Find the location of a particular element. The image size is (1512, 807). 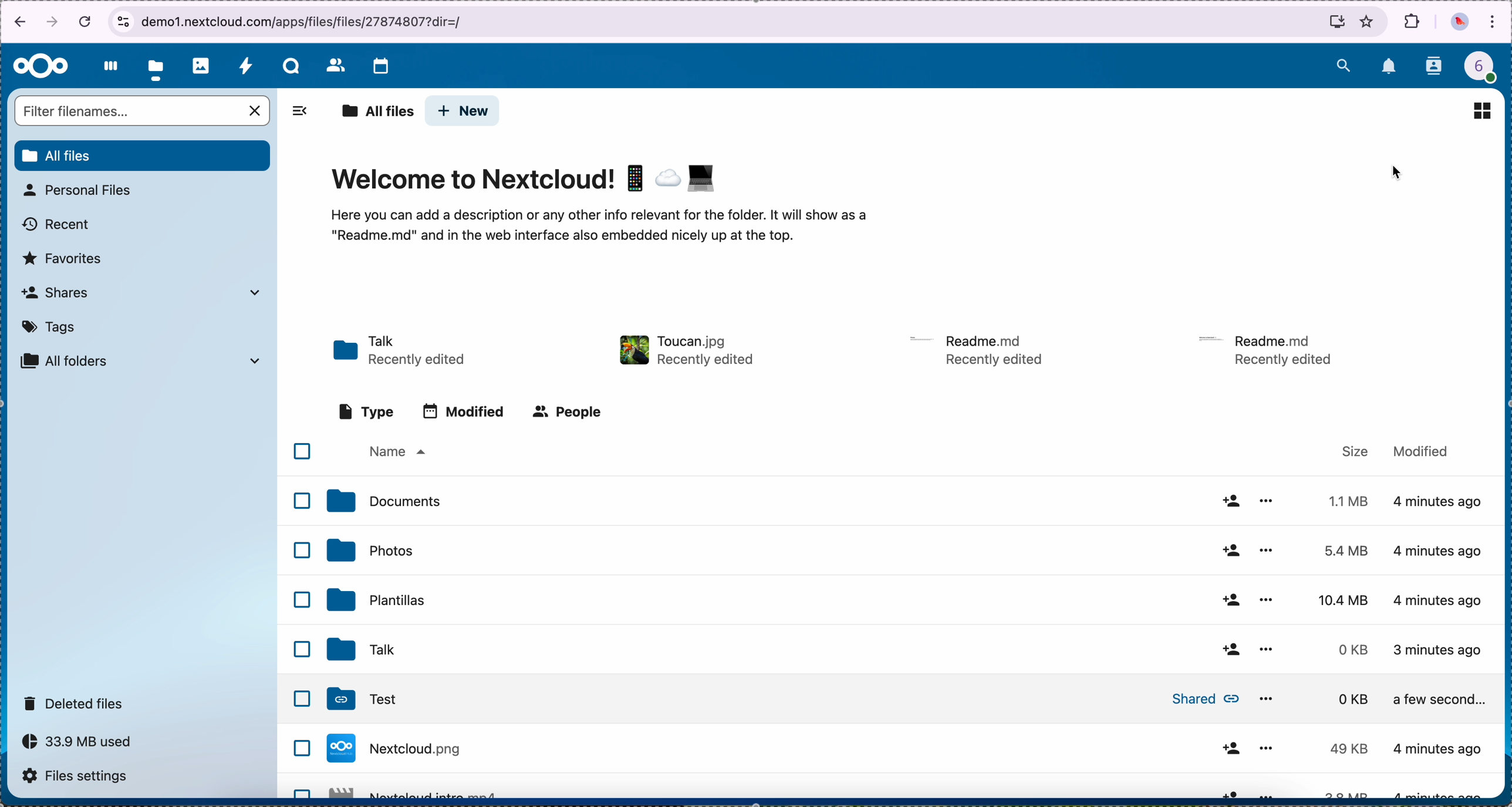

type is located at coordinates (367, 412).